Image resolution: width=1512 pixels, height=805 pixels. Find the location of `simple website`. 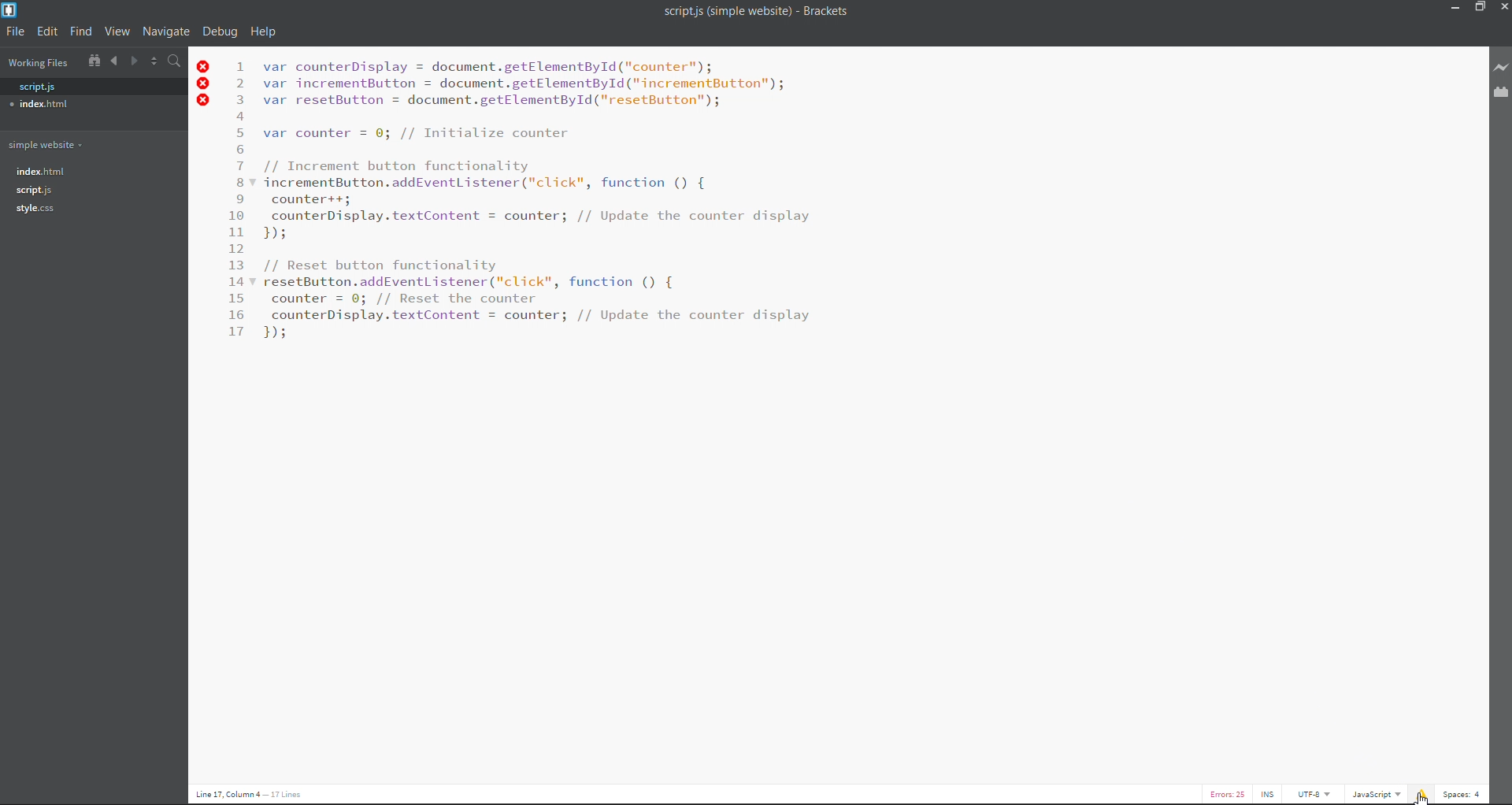

simple website is located at coordinates (54, 147).